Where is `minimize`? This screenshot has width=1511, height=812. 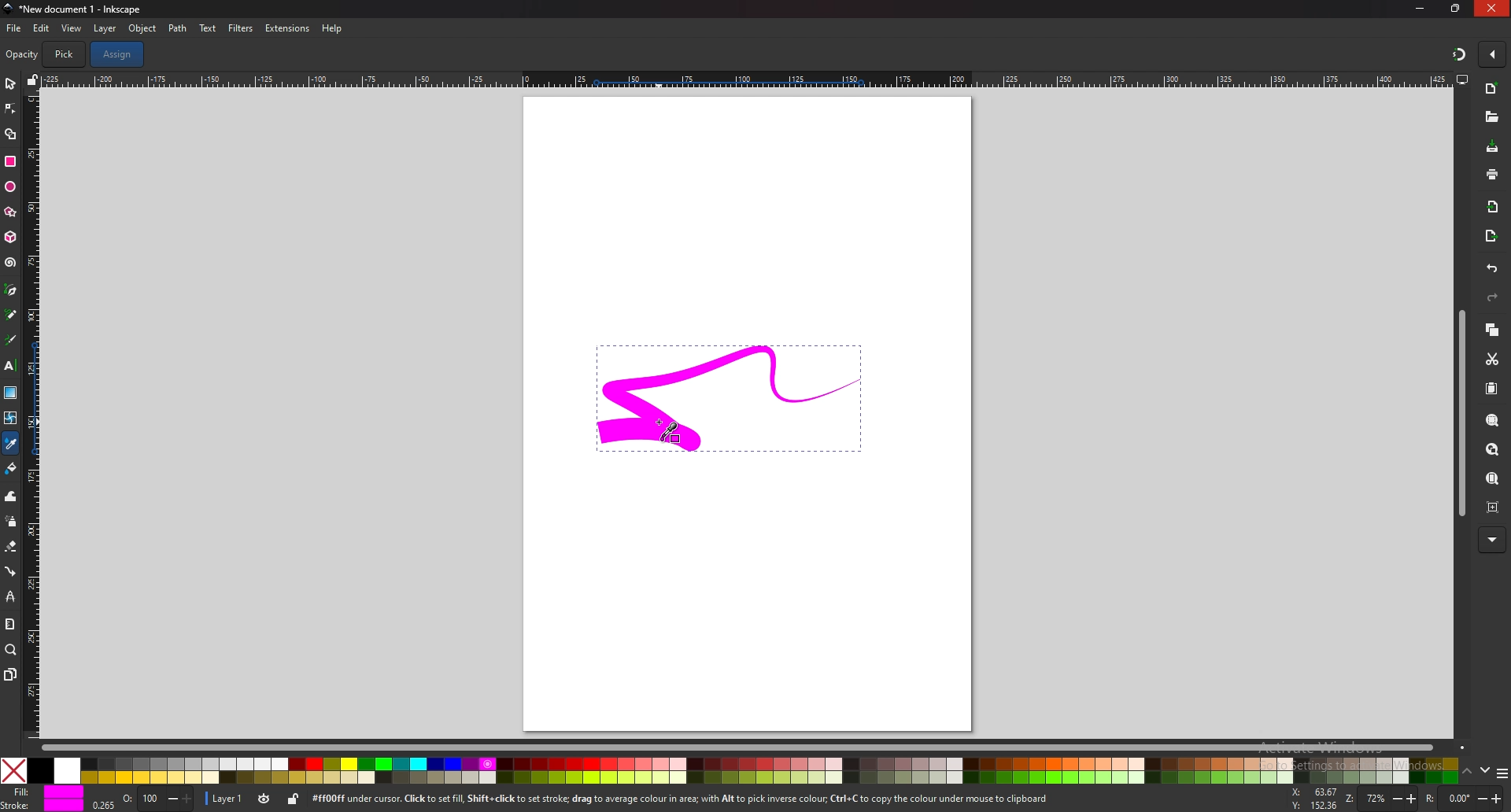 minimize is located at coordinates (1422, 9).